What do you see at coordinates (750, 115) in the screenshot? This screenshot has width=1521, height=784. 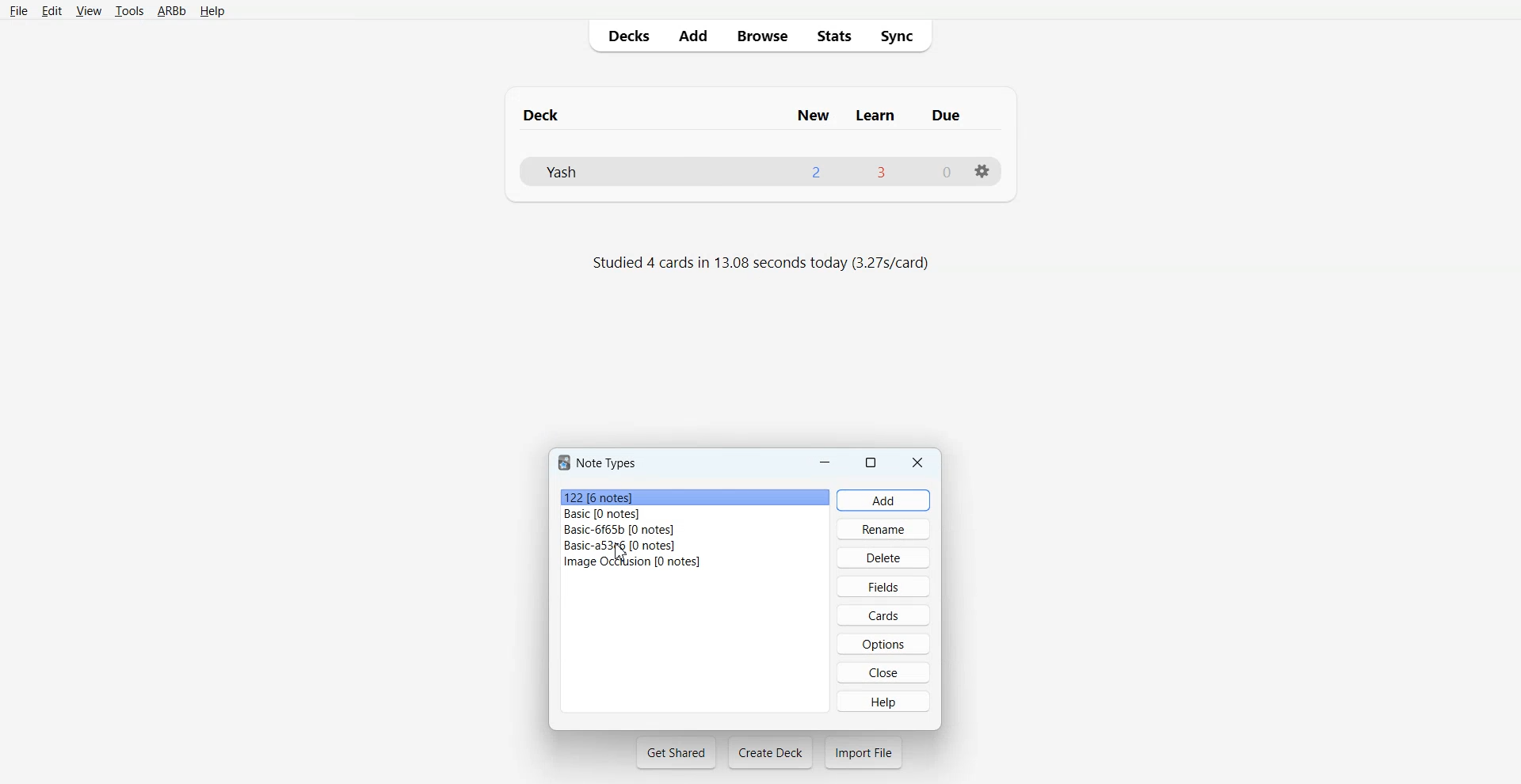 I see `Deck New Learn Due` at bounding box center [750, 115].